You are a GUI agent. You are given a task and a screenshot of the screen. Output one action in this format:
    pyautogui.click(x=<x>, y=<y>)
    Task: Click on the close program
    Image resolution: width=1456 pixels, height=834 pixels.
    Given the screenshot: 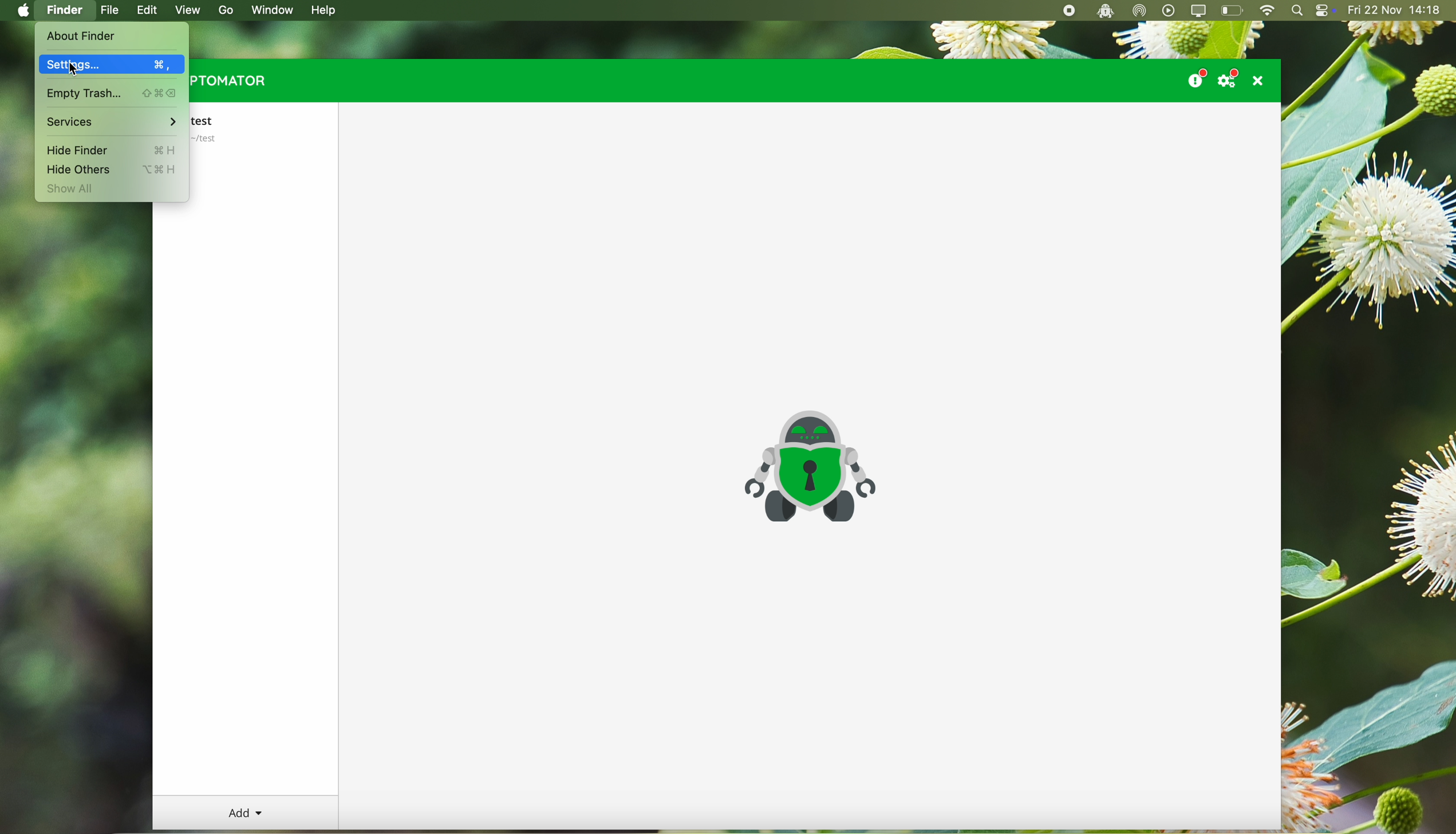 What is the action you would take?
    pyautogui.click(x=1261, y=80)
    